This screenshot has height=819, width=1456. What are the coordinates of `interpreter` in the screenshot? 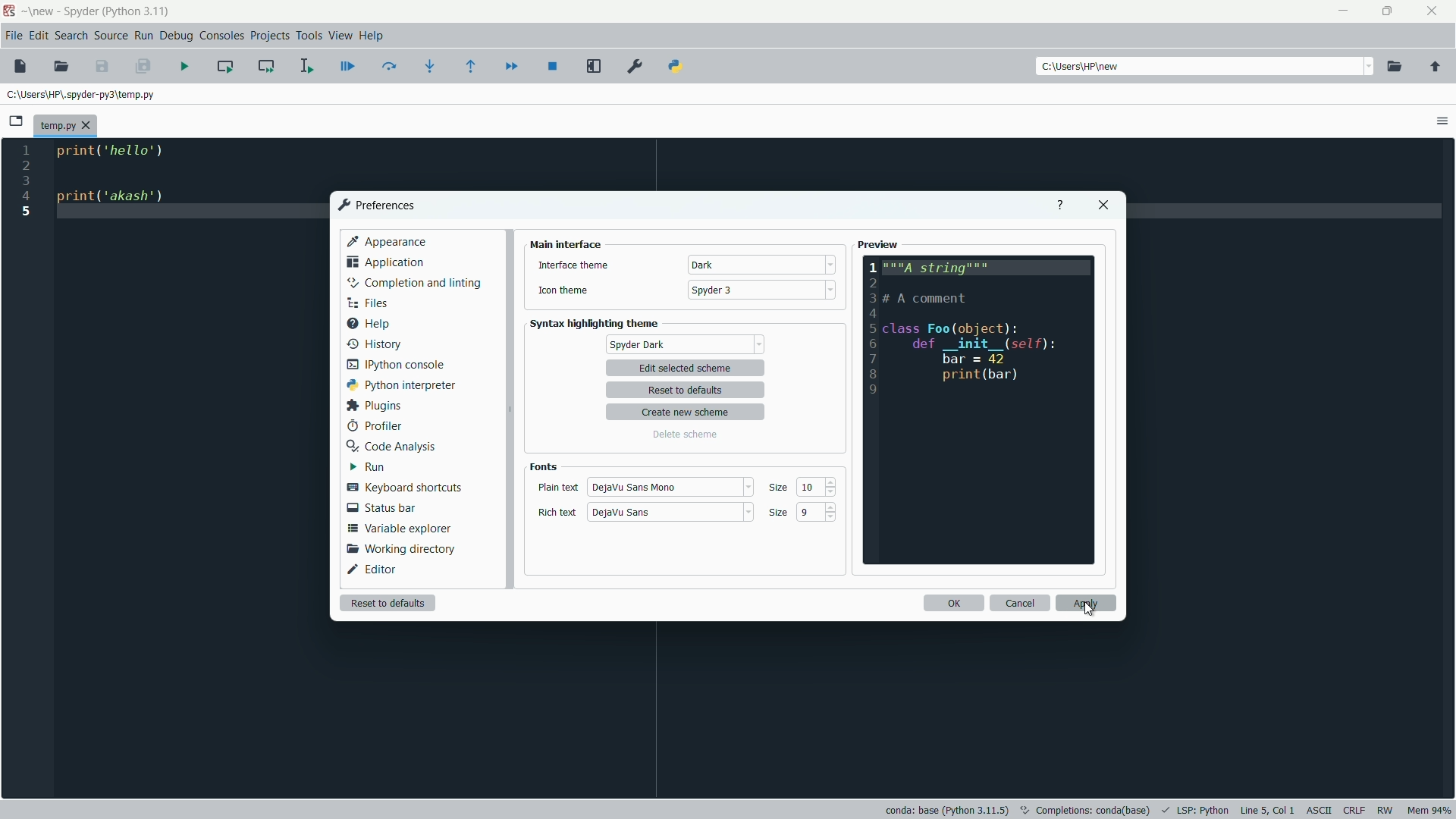 It's located at (946, 810).